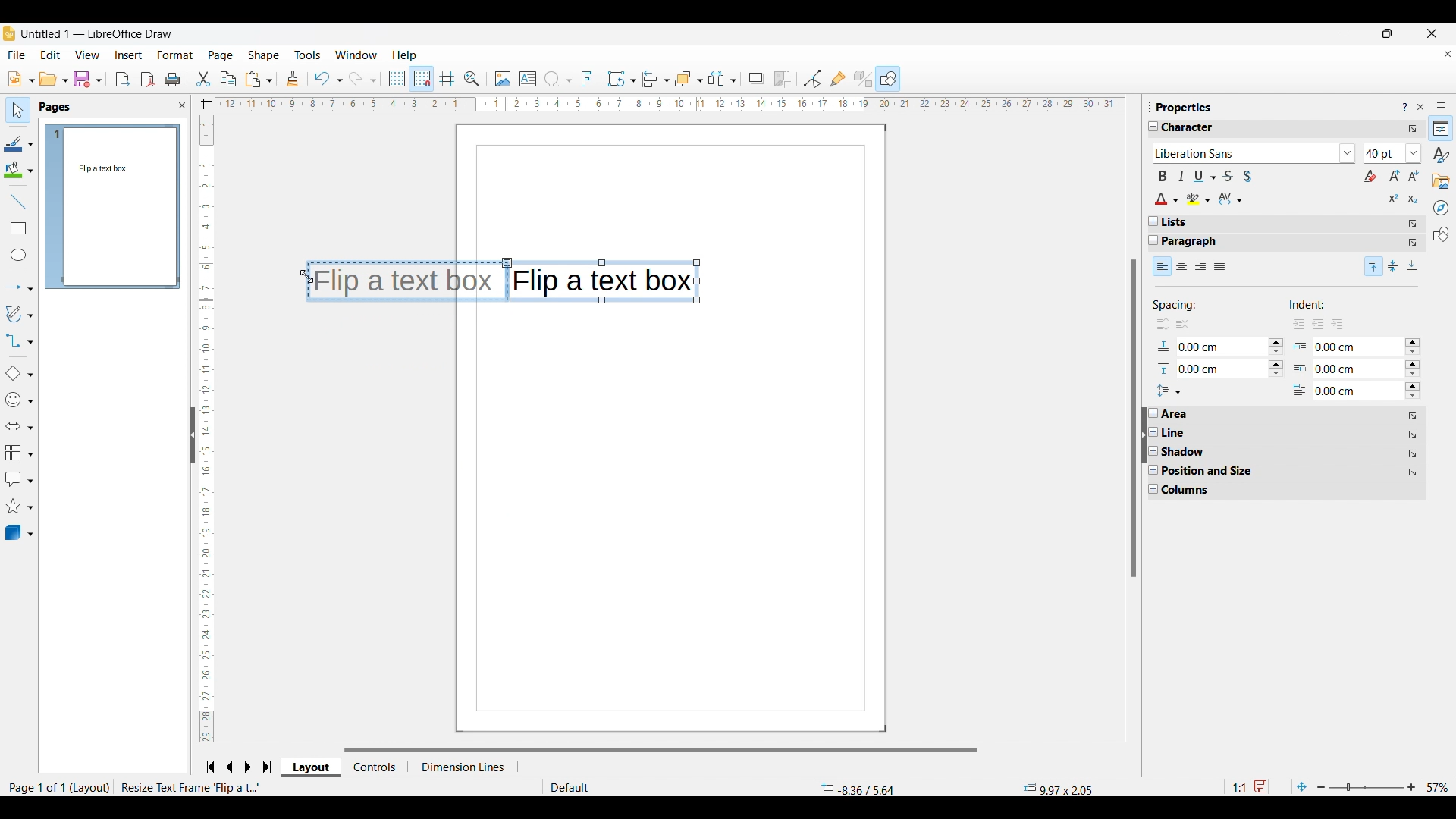 The height and width of the screenshot is (819, 1456). What do you see at coordinates (1214, 471) in the screenshot?
I see `Position and size property` at bounding box center [1214, 471].